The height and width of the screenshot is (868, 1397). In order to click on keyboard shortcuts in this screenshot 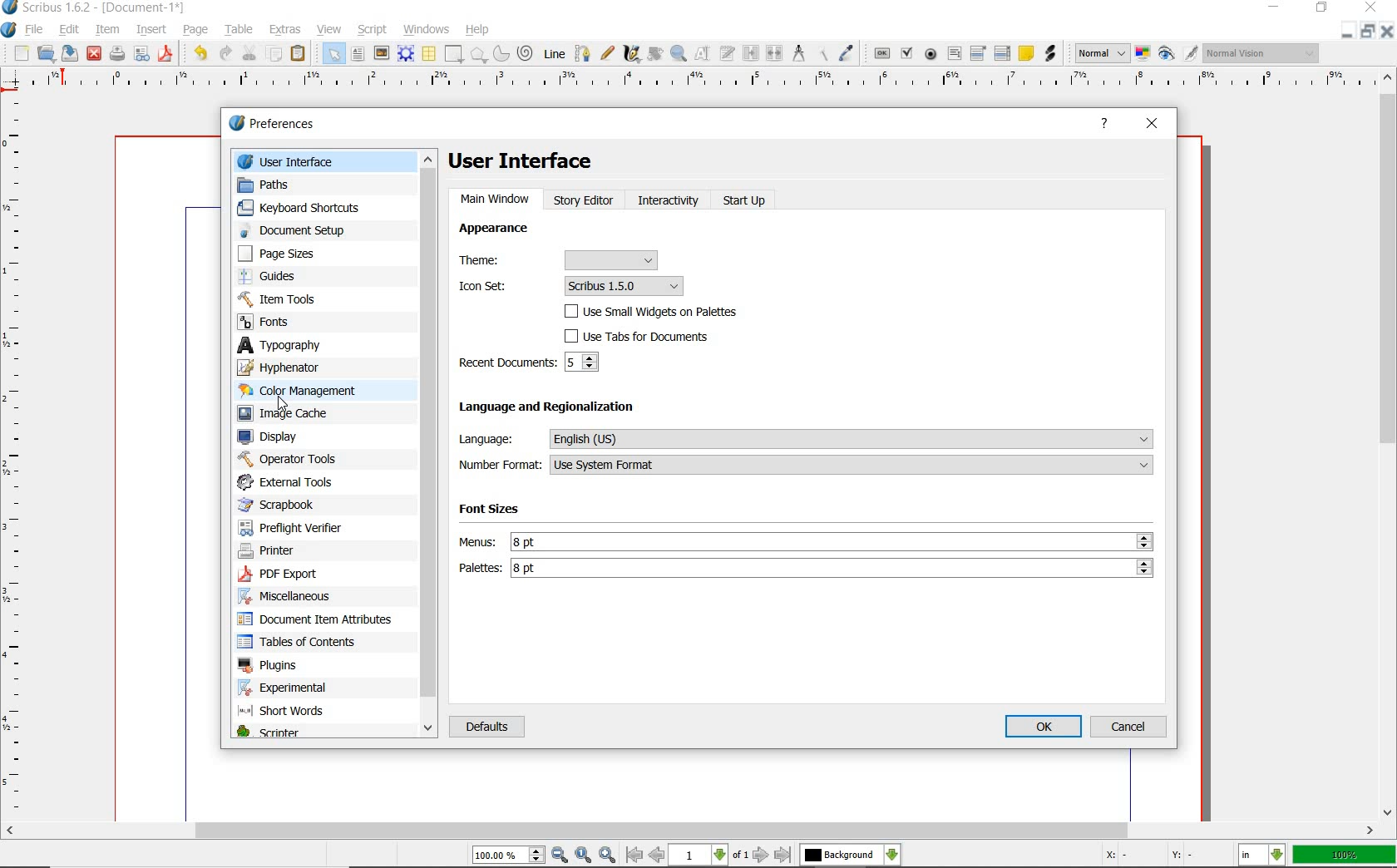, I will do `click(307, 209)`.